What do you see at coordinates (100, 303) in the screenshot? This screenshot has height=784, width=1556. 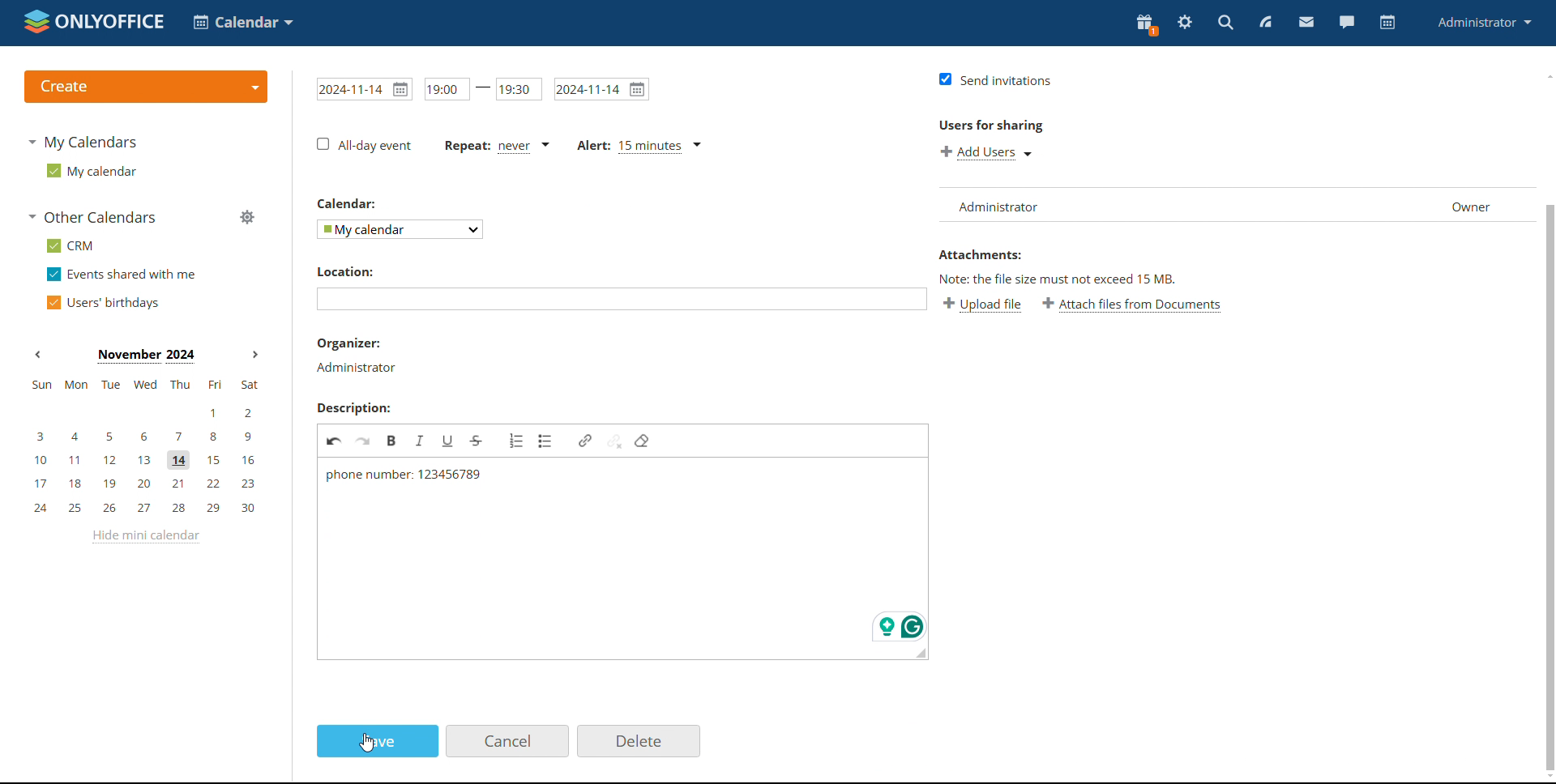 I see `users' birthdays` at bounding box center [100, 303].